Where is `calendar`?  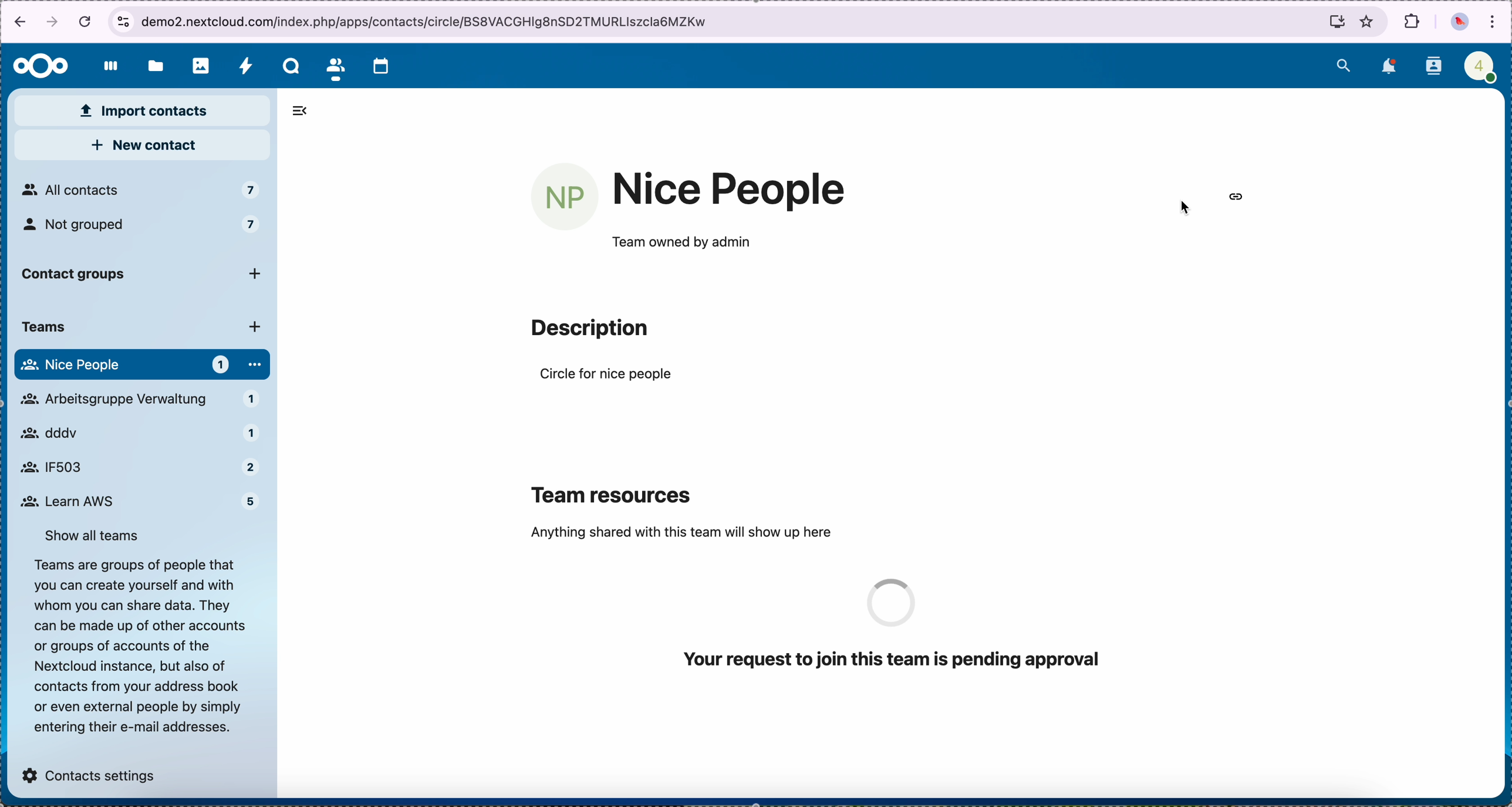
calendar is located at coordinates (386, 65).